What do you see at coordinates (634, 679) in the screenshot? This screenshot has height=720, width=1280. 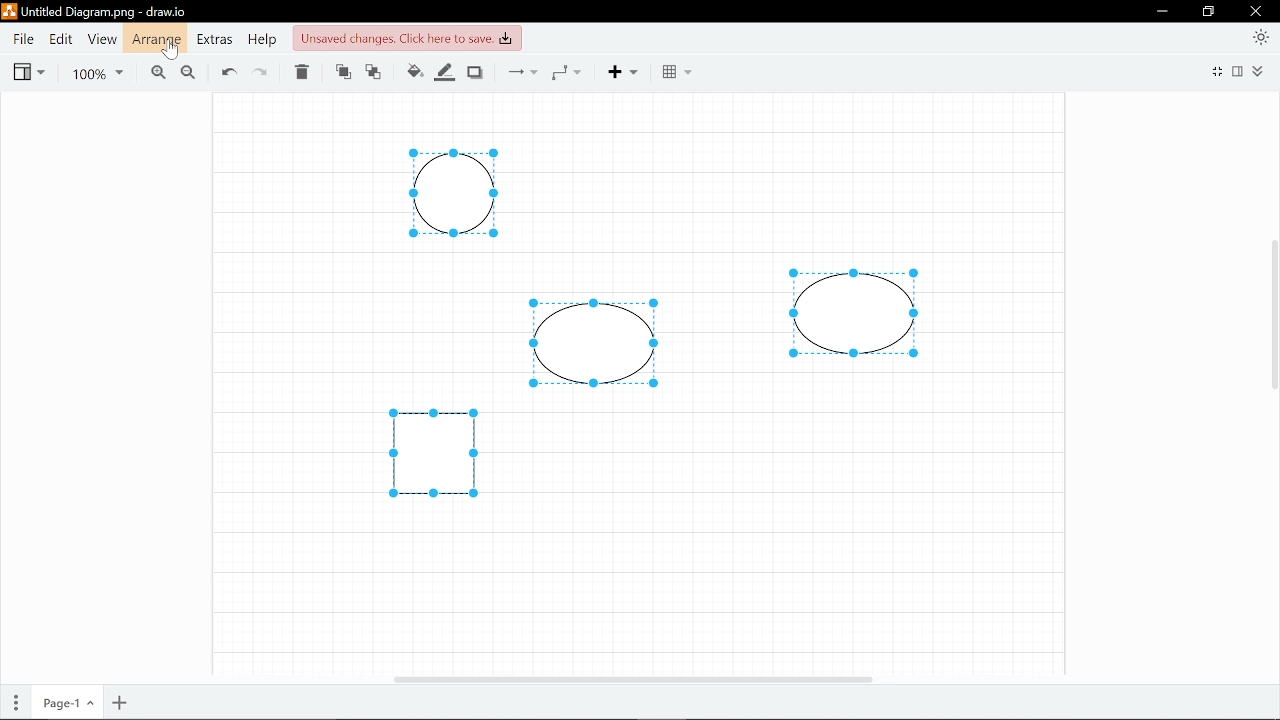 I see `Horizontal scrollbar` at bounding box center [634, 679].